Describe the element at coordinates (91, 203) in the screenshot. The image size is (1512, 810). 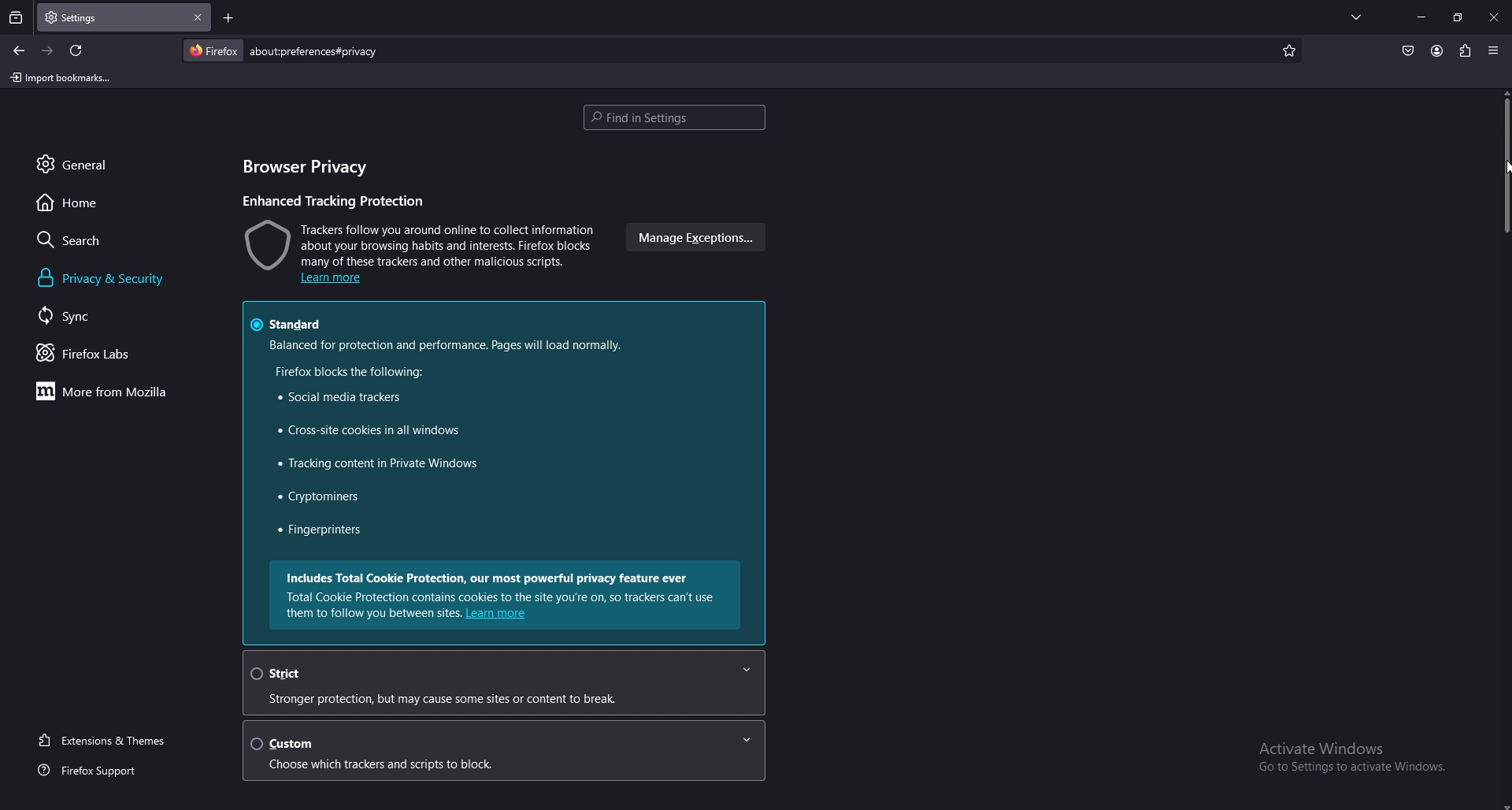
I see `home` at that location.